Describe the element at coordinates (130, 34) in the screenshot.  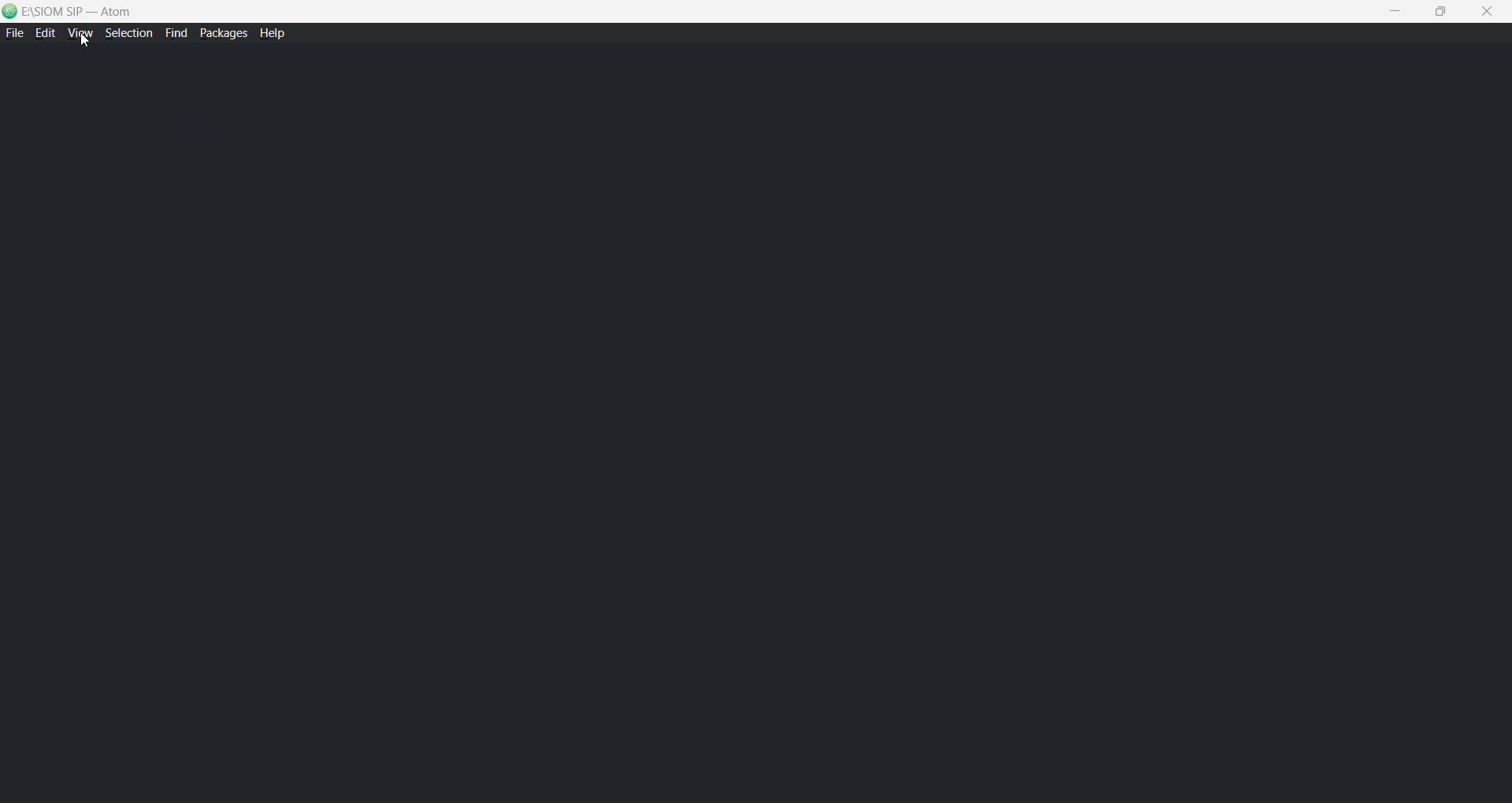
I see `selection` at that location.